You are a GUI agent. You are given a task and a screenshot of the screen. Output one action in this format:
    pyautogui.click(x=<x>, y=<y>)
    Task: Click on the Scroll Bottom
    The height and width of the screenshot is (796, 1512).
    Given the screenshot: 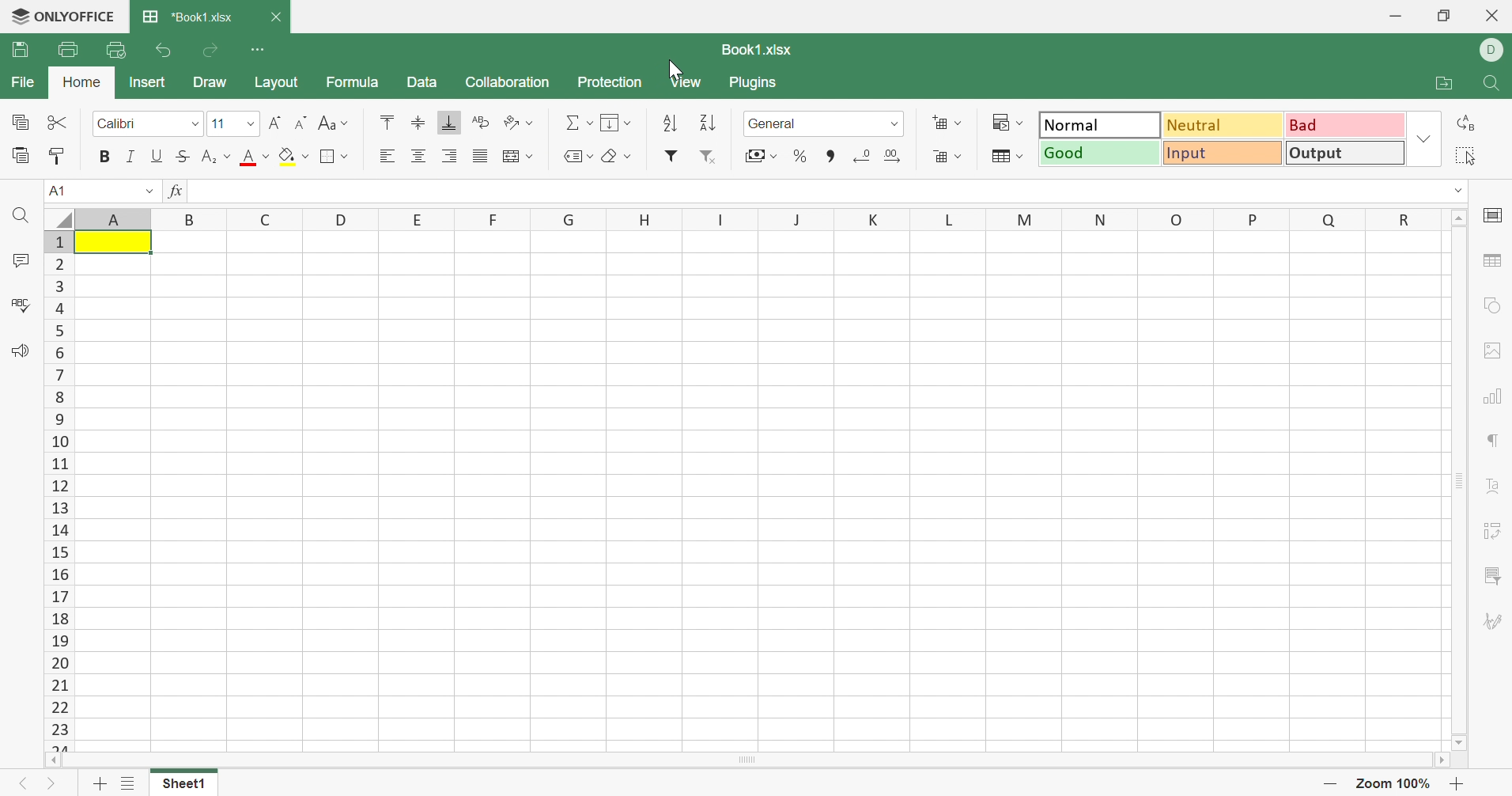 What is the action you would take?
    pyautogui.click(x=1458, y=744)
    